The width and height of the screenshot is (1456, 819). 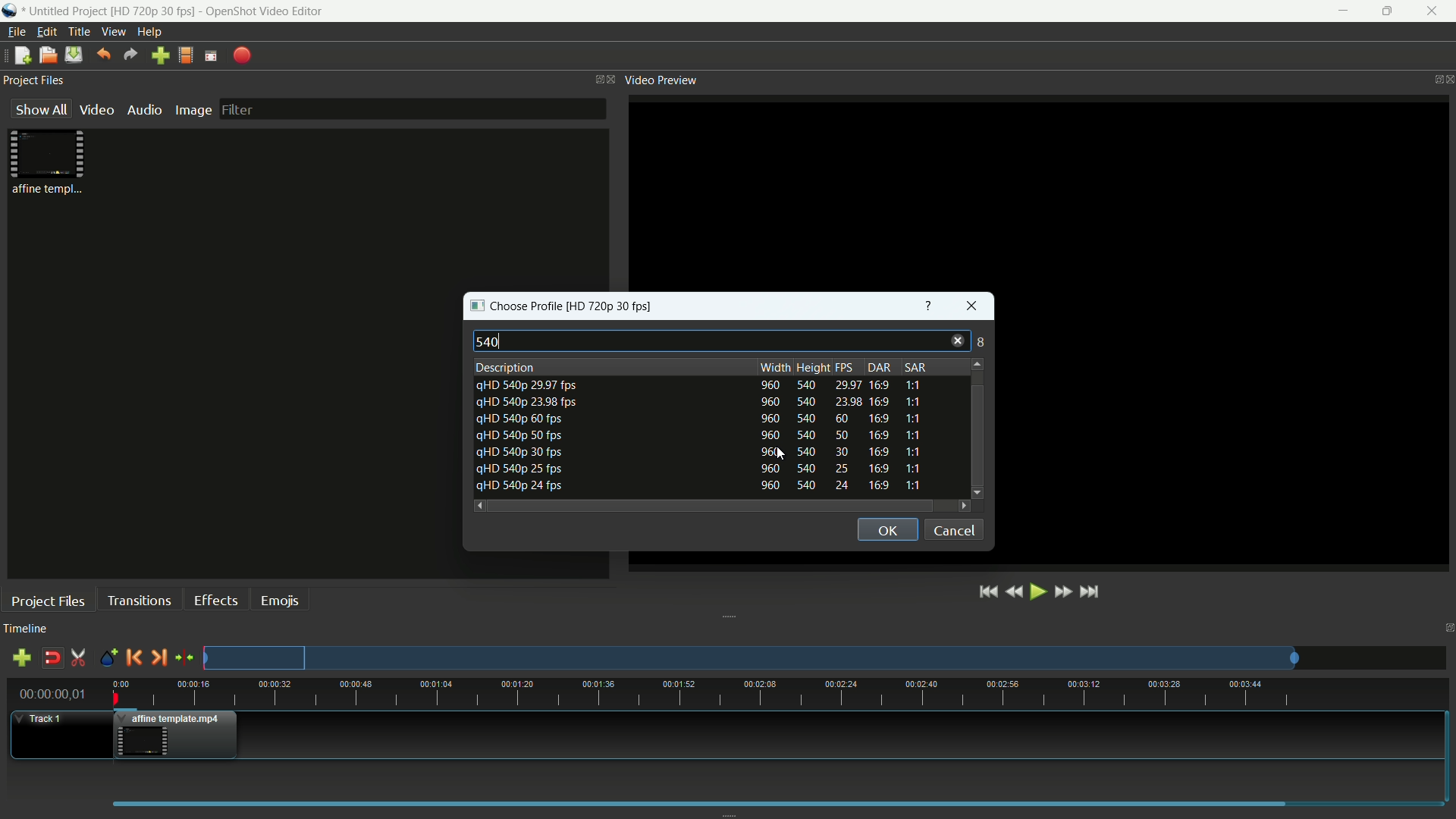 What do you see at coordinates (281, 601) in the screenshot?
I see `emojis` at bounding box center [281, 601].